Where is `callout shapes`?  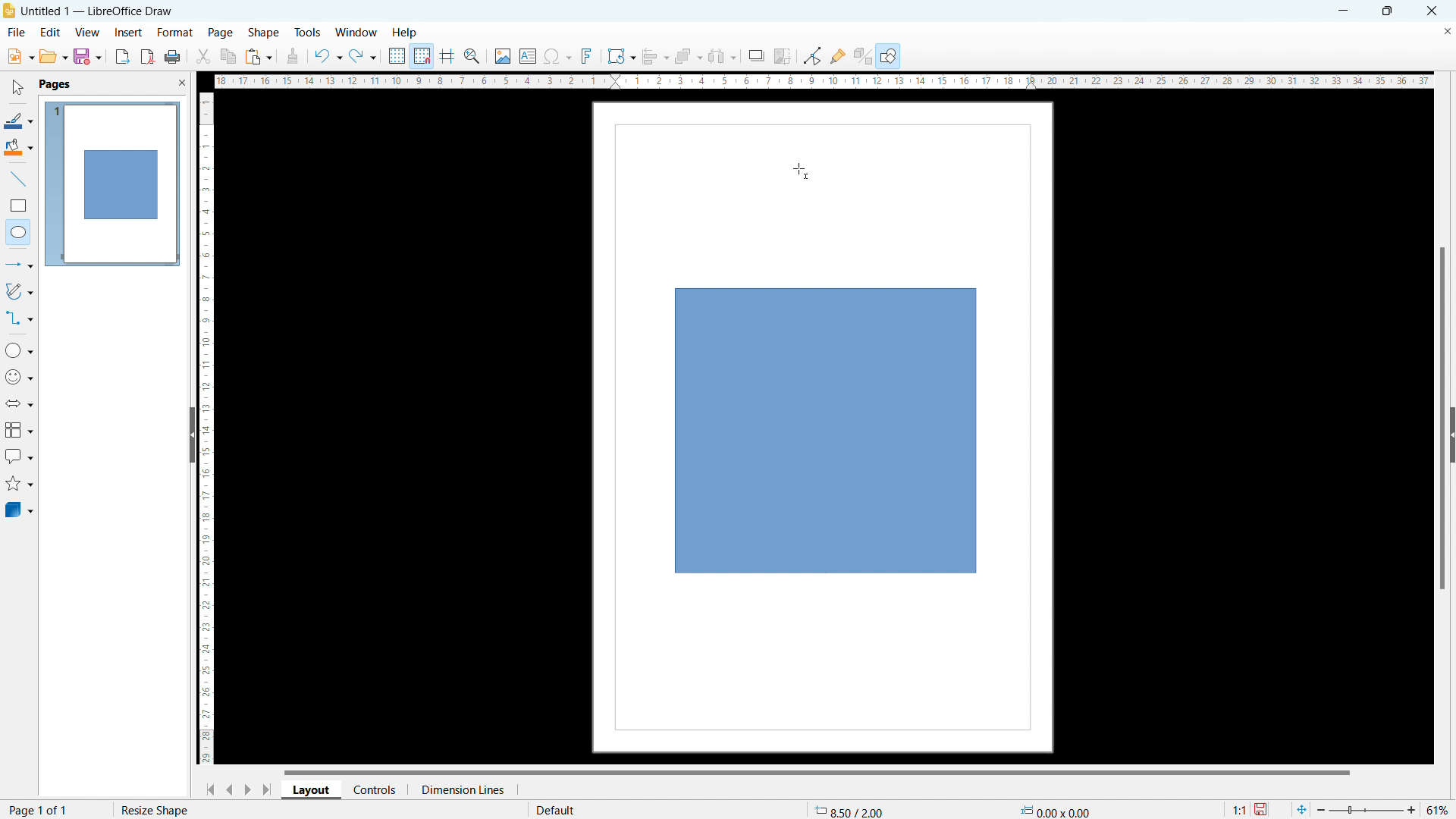 callout shapes is located at coordinates (20, 457).